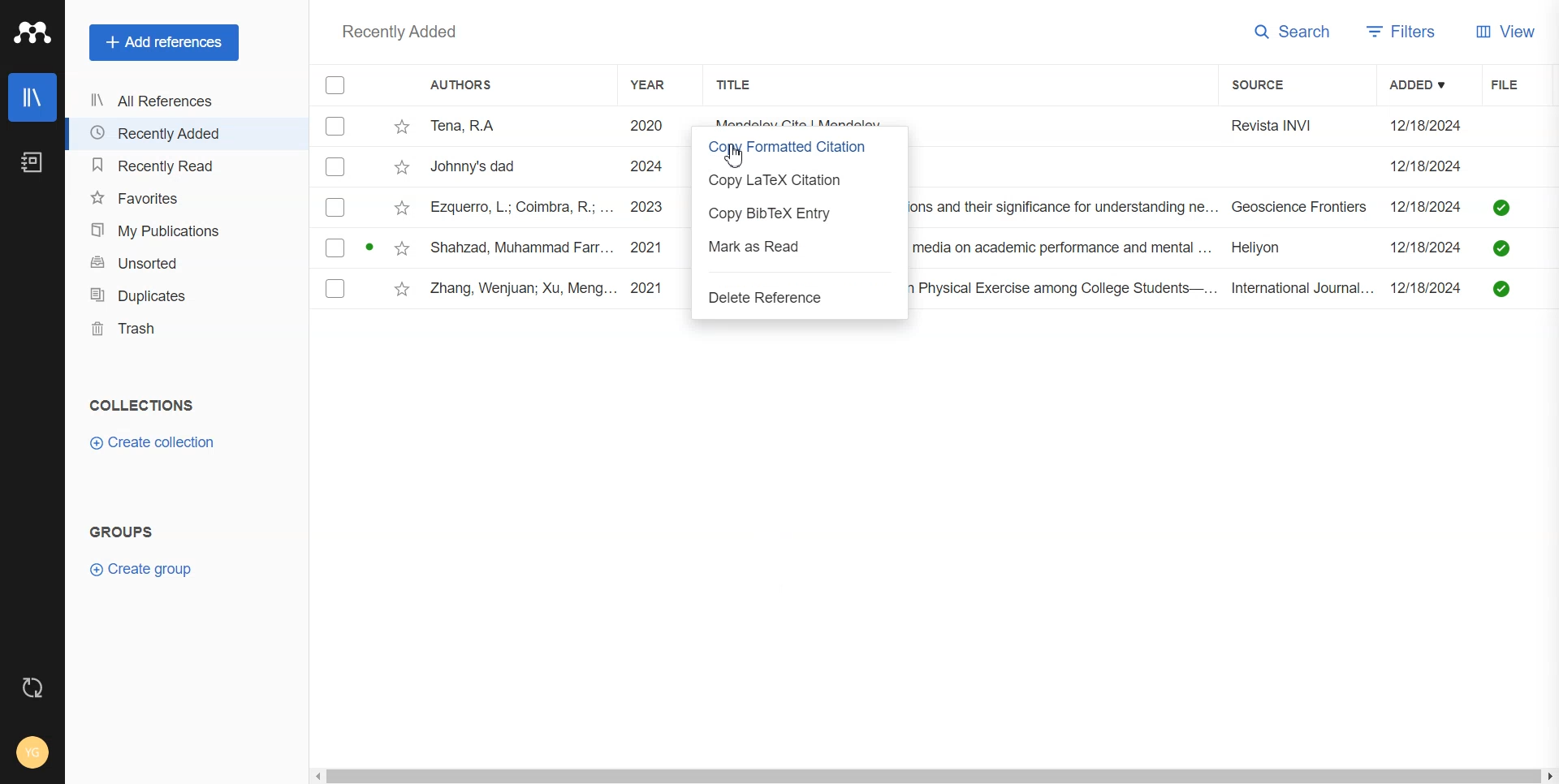 The height and width of the screenshot is (784, 1559). Describe the element at coordinates (1502, 207) in the screenshot. I see `saved` at that location.